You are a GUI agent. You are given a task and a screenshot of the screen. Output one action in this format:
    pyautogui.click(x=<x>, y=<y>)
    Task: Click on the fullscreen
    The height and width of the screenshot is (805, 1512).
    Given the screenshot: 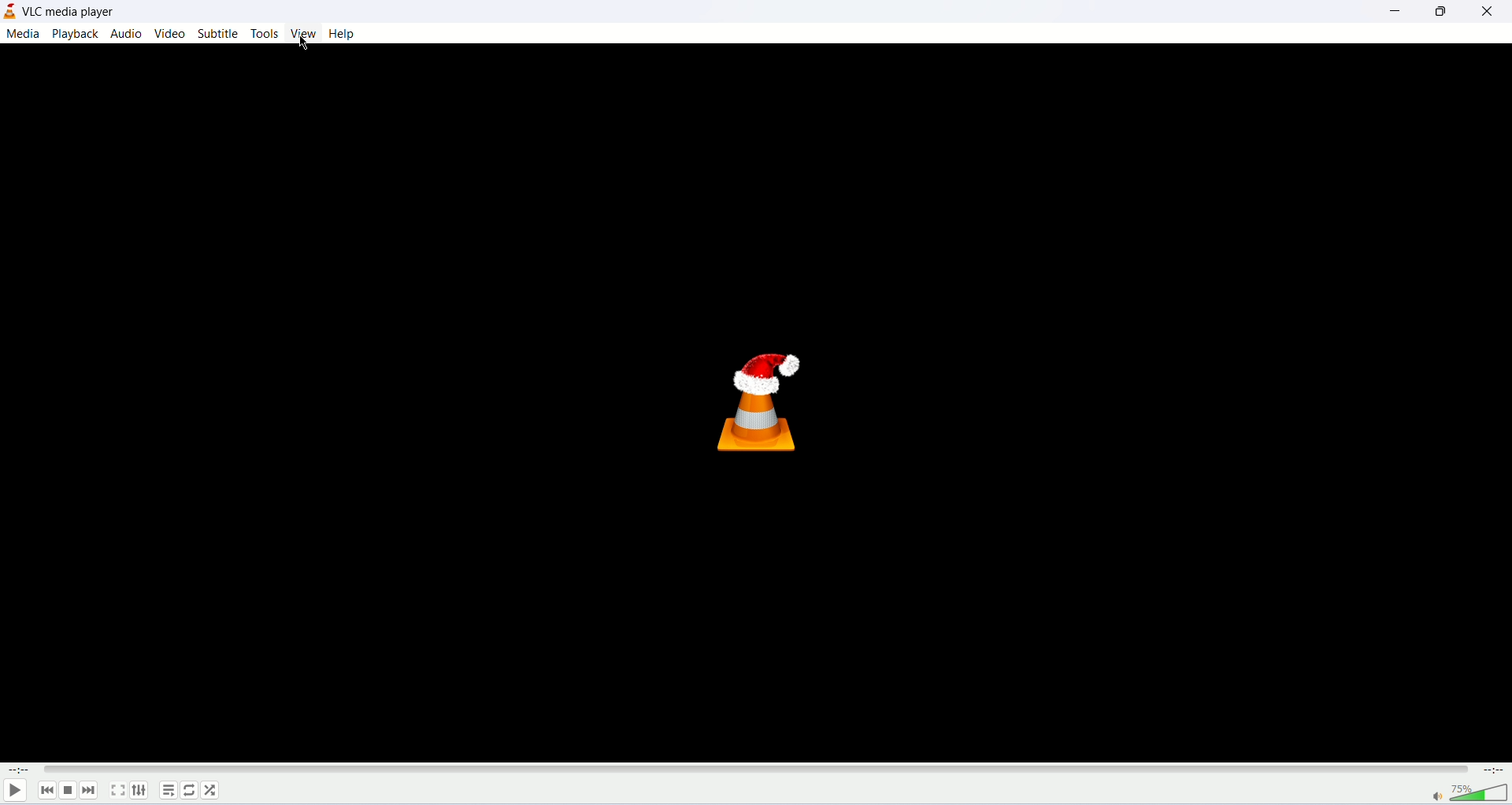 What is the action you would take?
    pyautogui.click(x=120, y=790)
    